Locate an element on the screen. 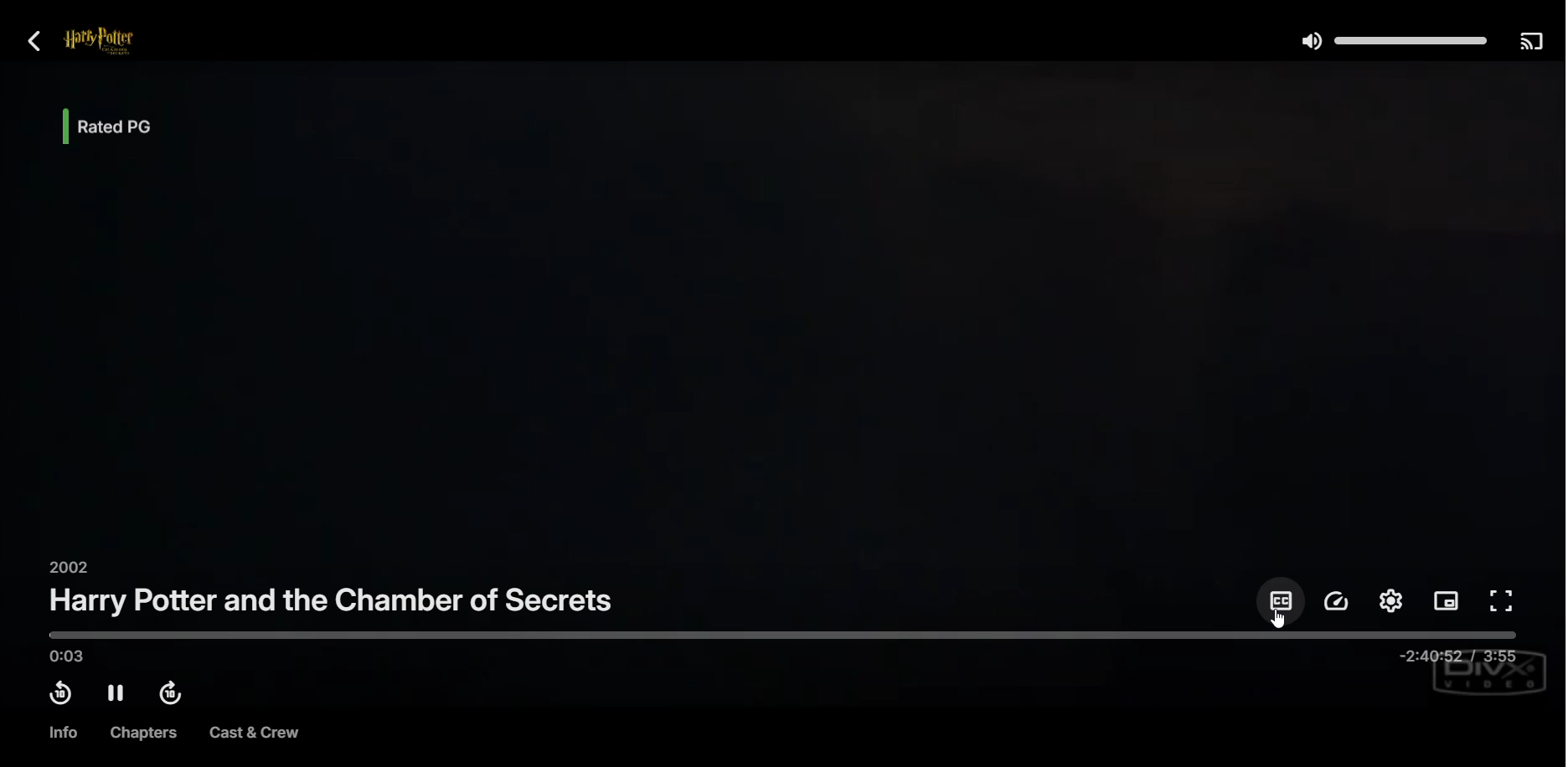 Image resolution: width=1568 pixels, height=767 pixels. Fast-forward is located at coordinates (174, 695).